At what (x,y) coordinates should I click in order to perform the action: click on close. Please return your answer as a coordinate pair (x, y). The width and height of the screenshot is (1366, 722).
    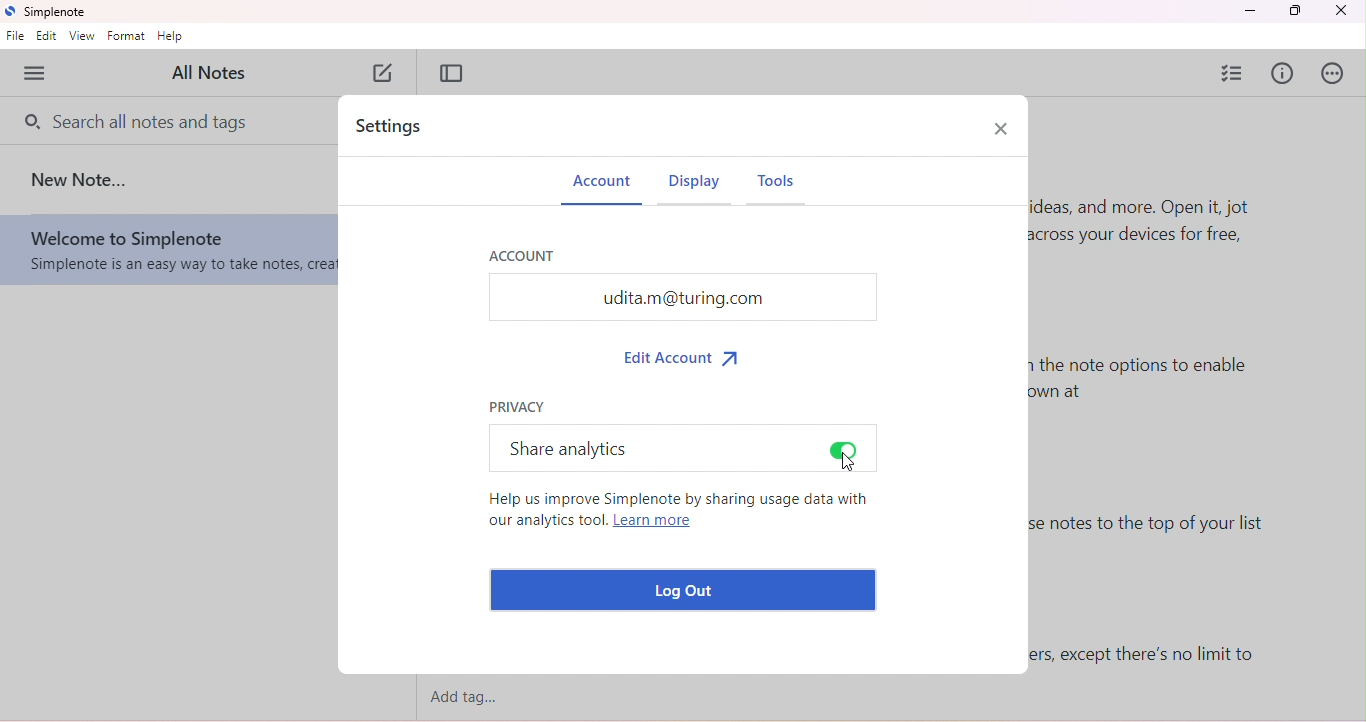
    Looking at the image, I should click on (1342, 11).